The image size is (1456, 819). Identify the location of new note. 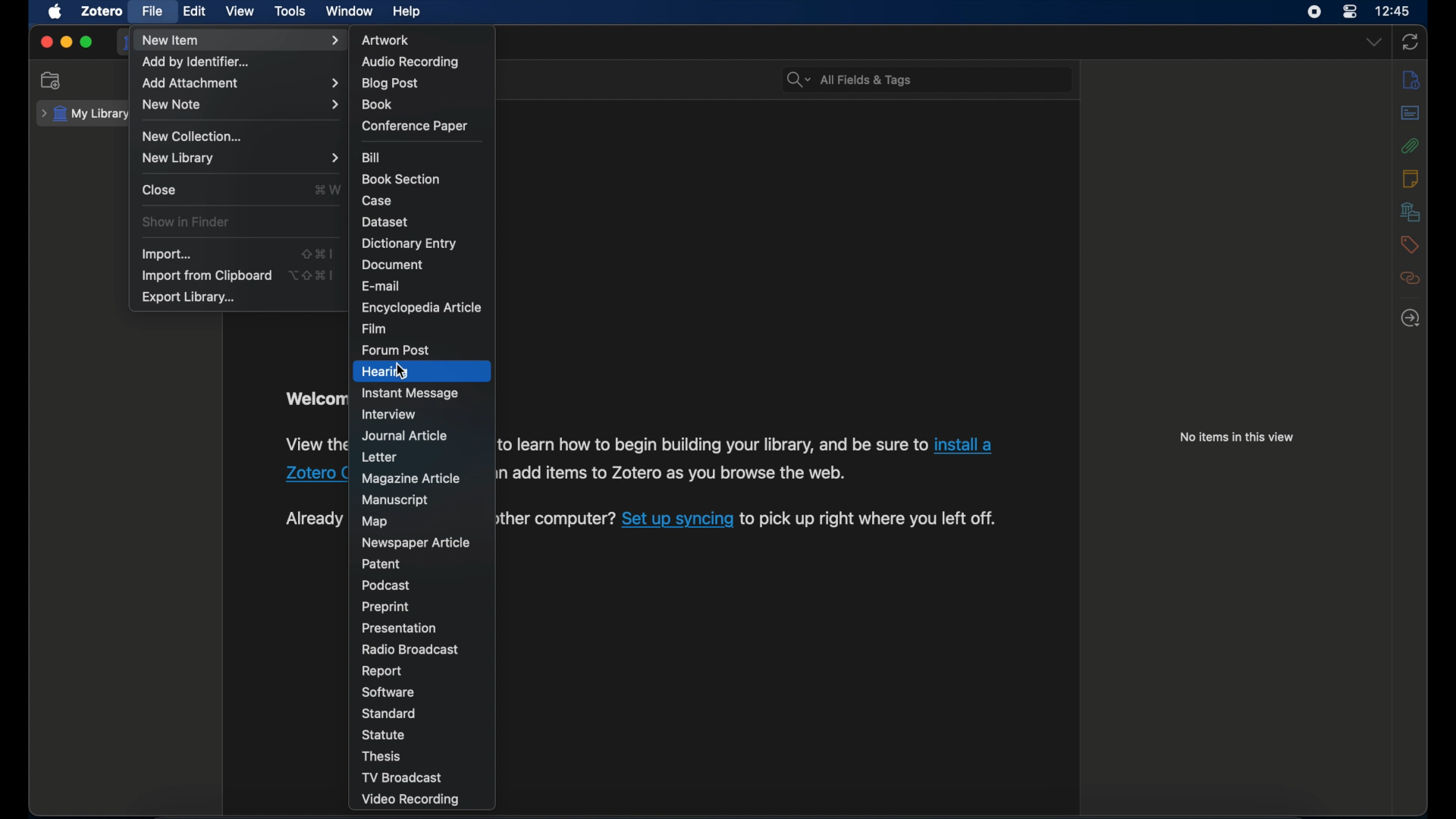
(240, 105).